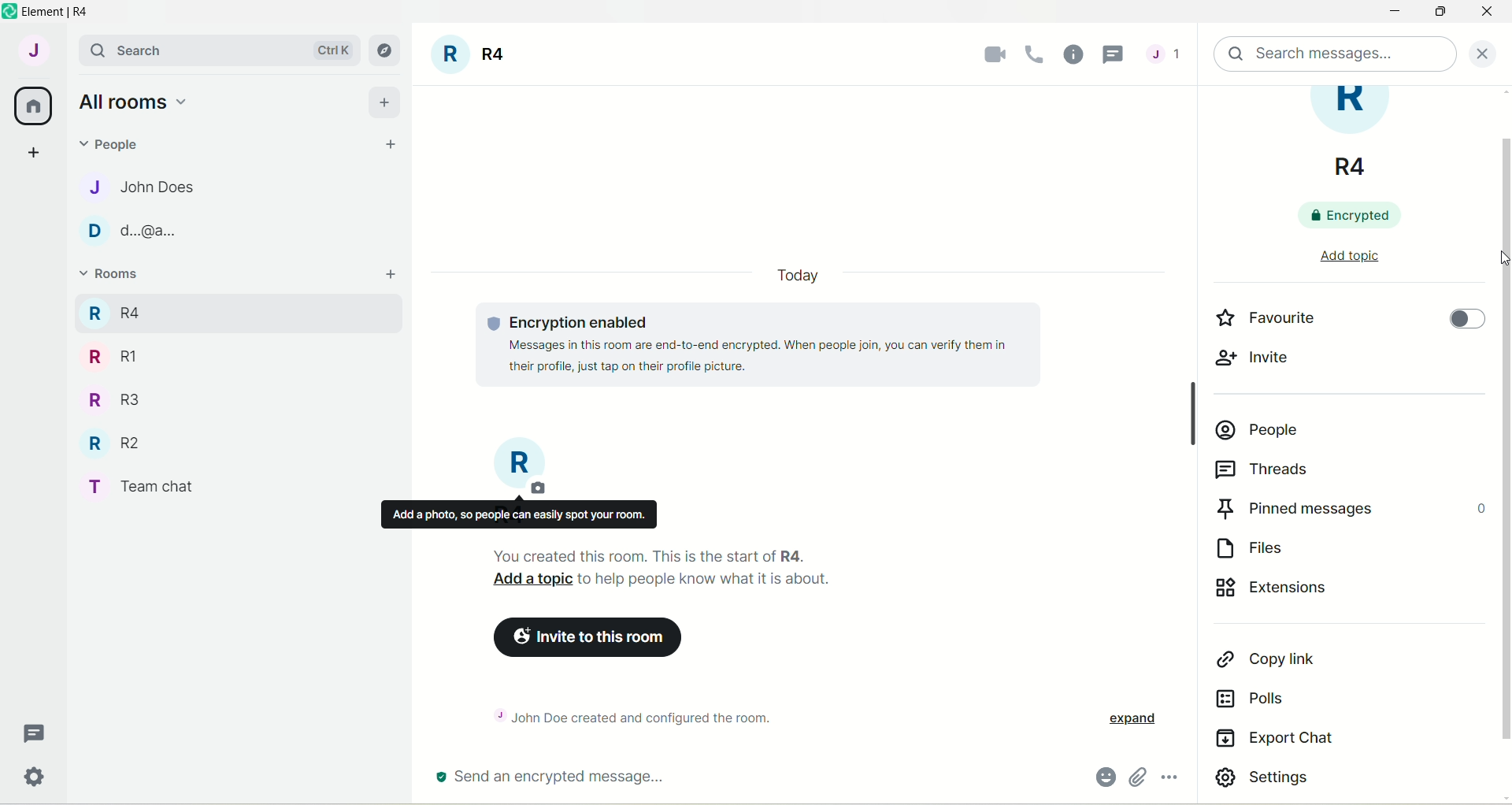  What do you see at coordinates (1443, 13) in the screenshot?
I see `maximize` at bounding box center [1443, 13].